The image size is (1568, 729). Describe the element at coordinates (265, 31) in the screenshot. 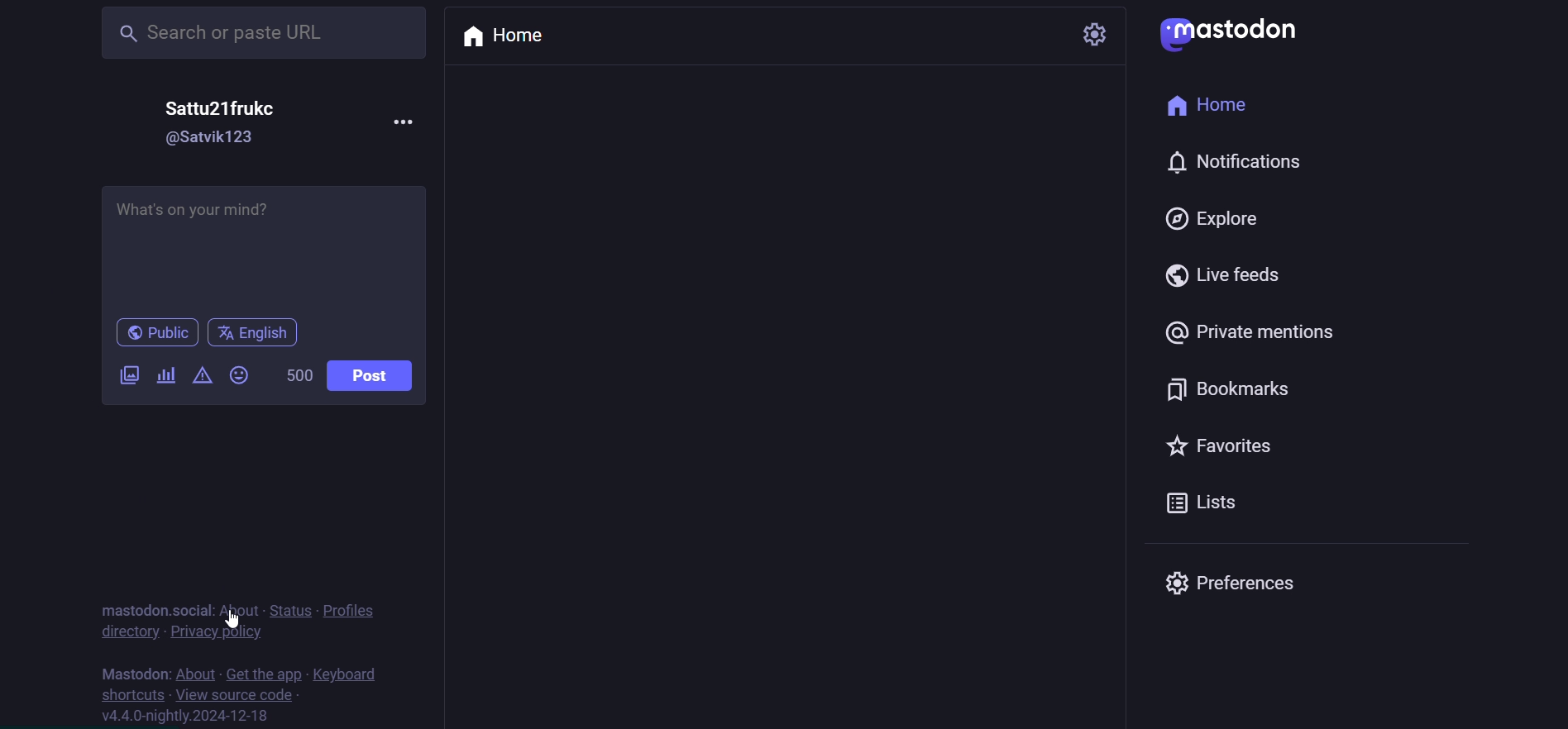

I see `search` at that location.